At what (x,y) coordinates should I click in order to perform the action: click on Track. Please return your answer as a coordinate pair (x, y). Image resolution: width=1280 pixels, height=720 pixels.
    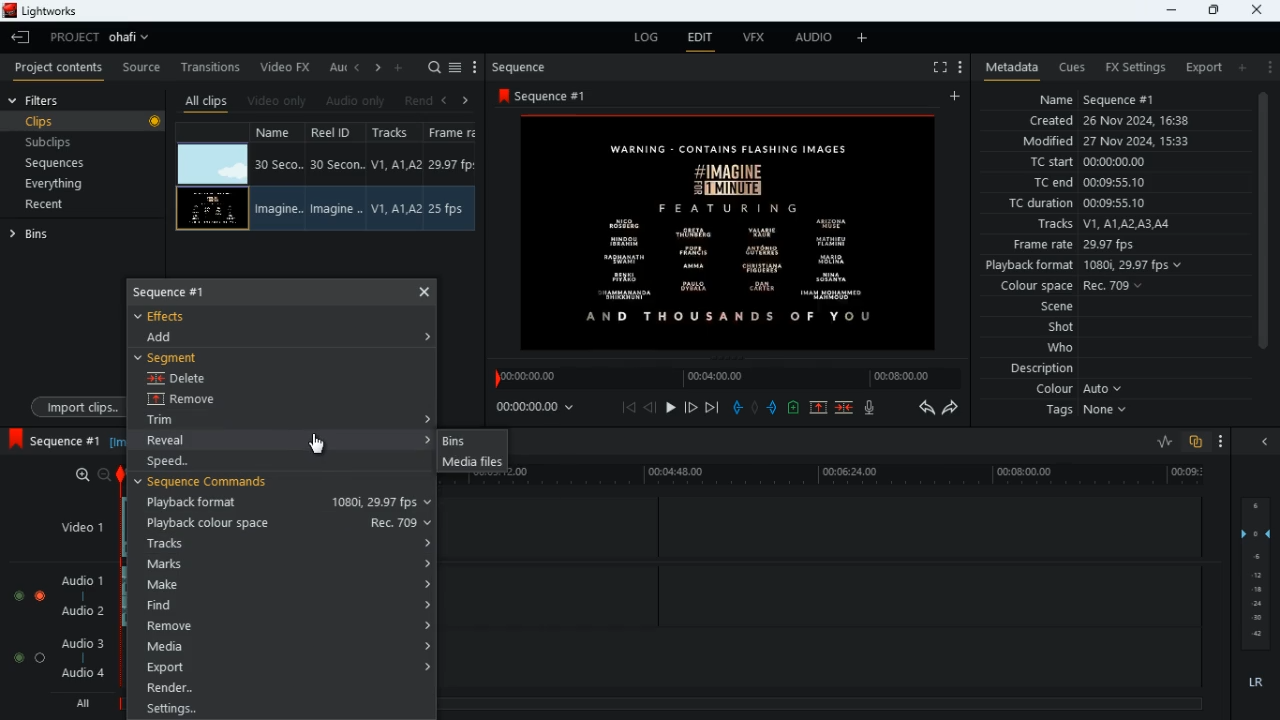
    Looking at the image, I should click on (396, 208).